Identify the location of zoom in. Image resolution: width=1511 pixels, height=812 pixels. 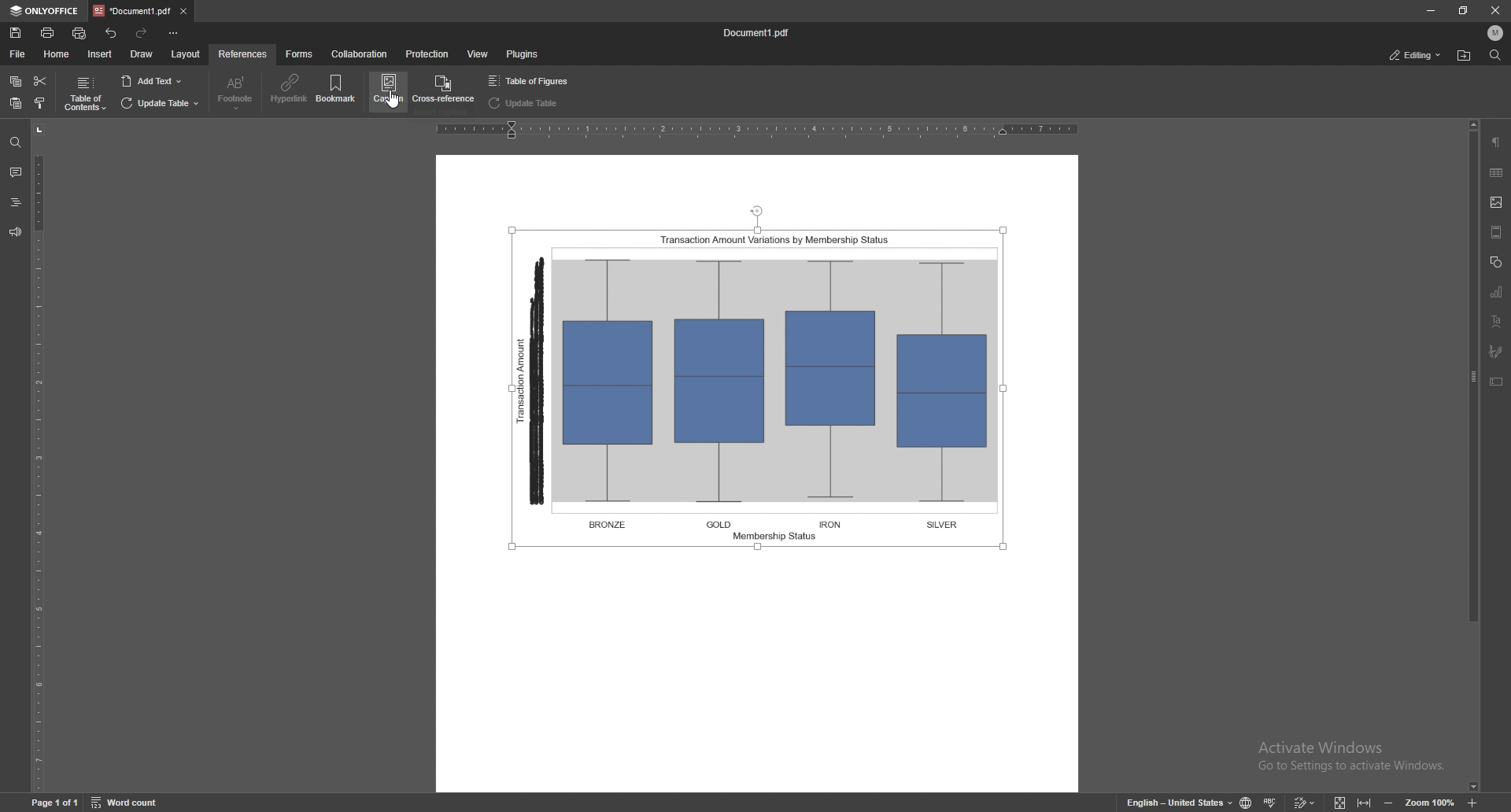
(1472, 801).